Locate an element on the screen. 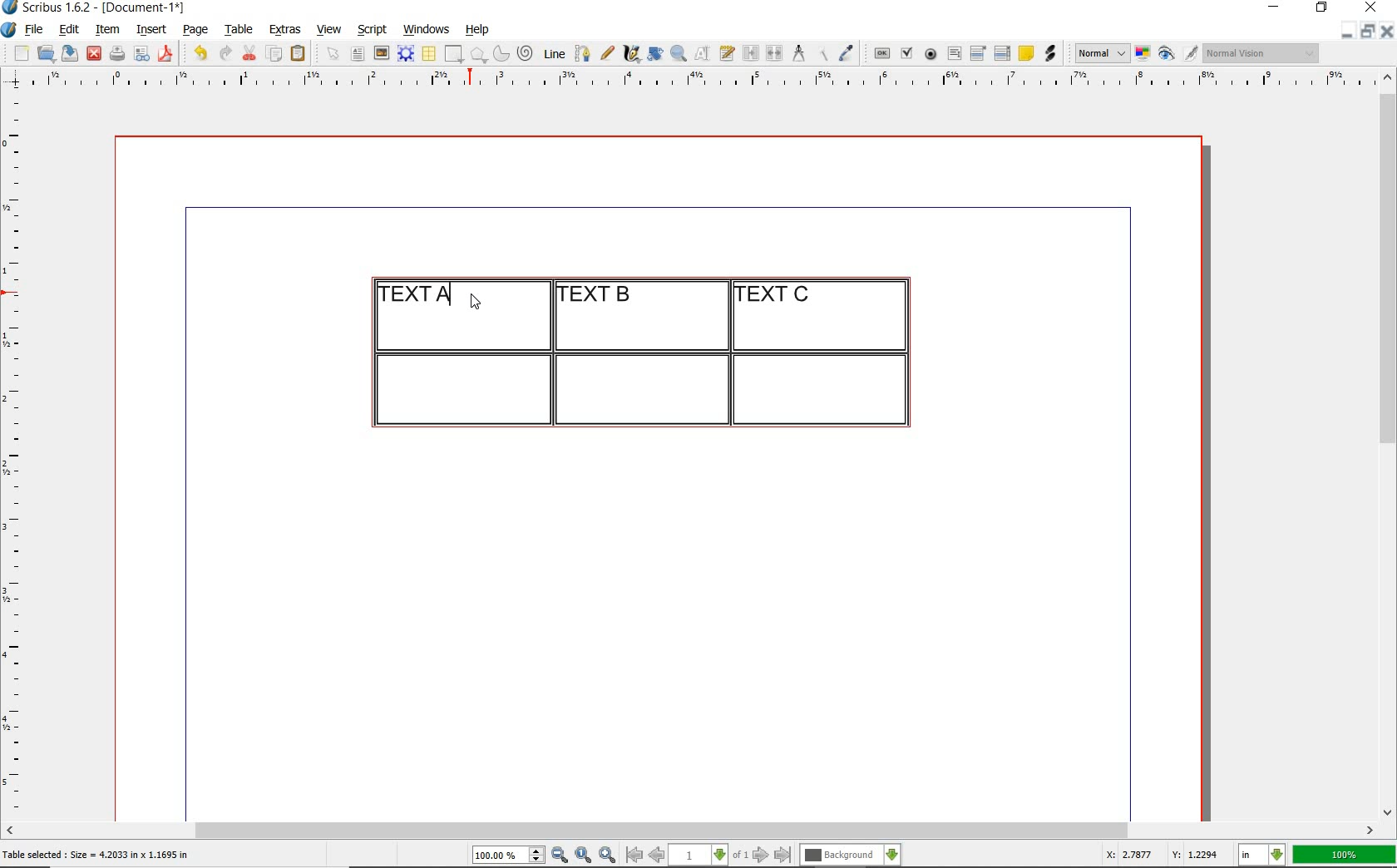 The width and height of the screenshot is (1397, 868). text frame is located at coordinates (357, 55).